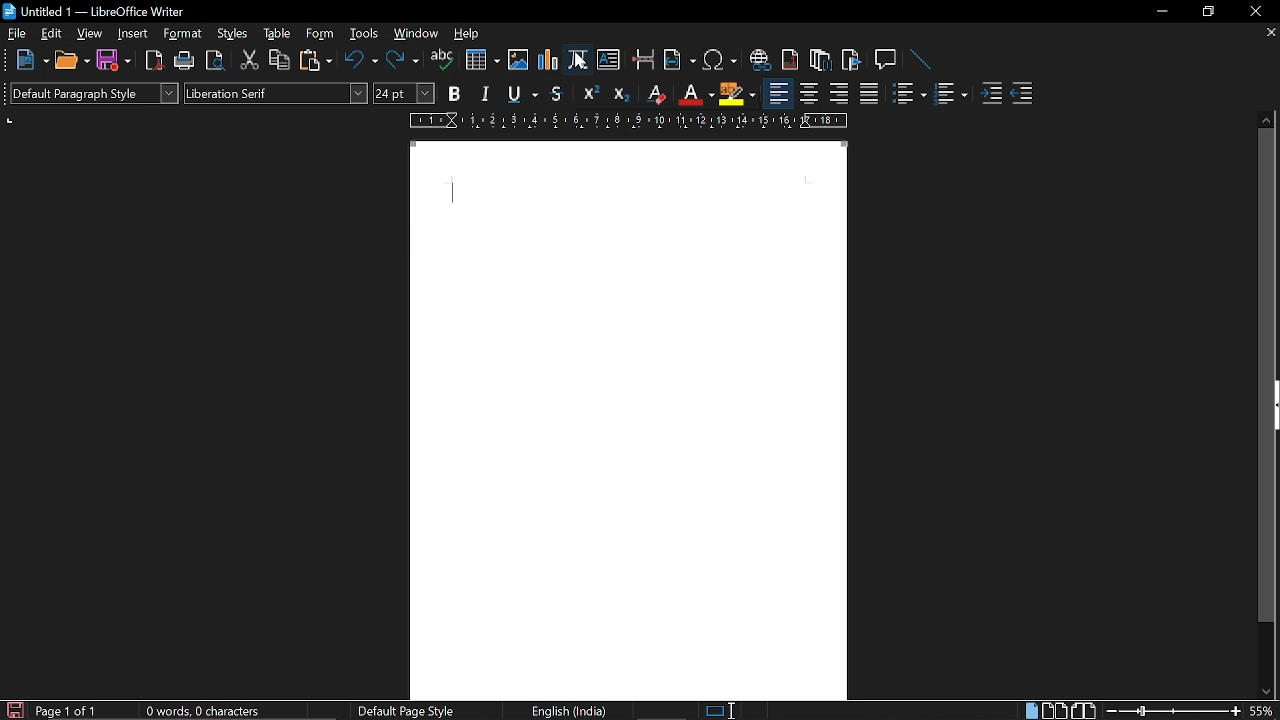  What do you see at coordinates (624, 121) in the screenshot?
I see `scale` at bounding box center [624, 121].